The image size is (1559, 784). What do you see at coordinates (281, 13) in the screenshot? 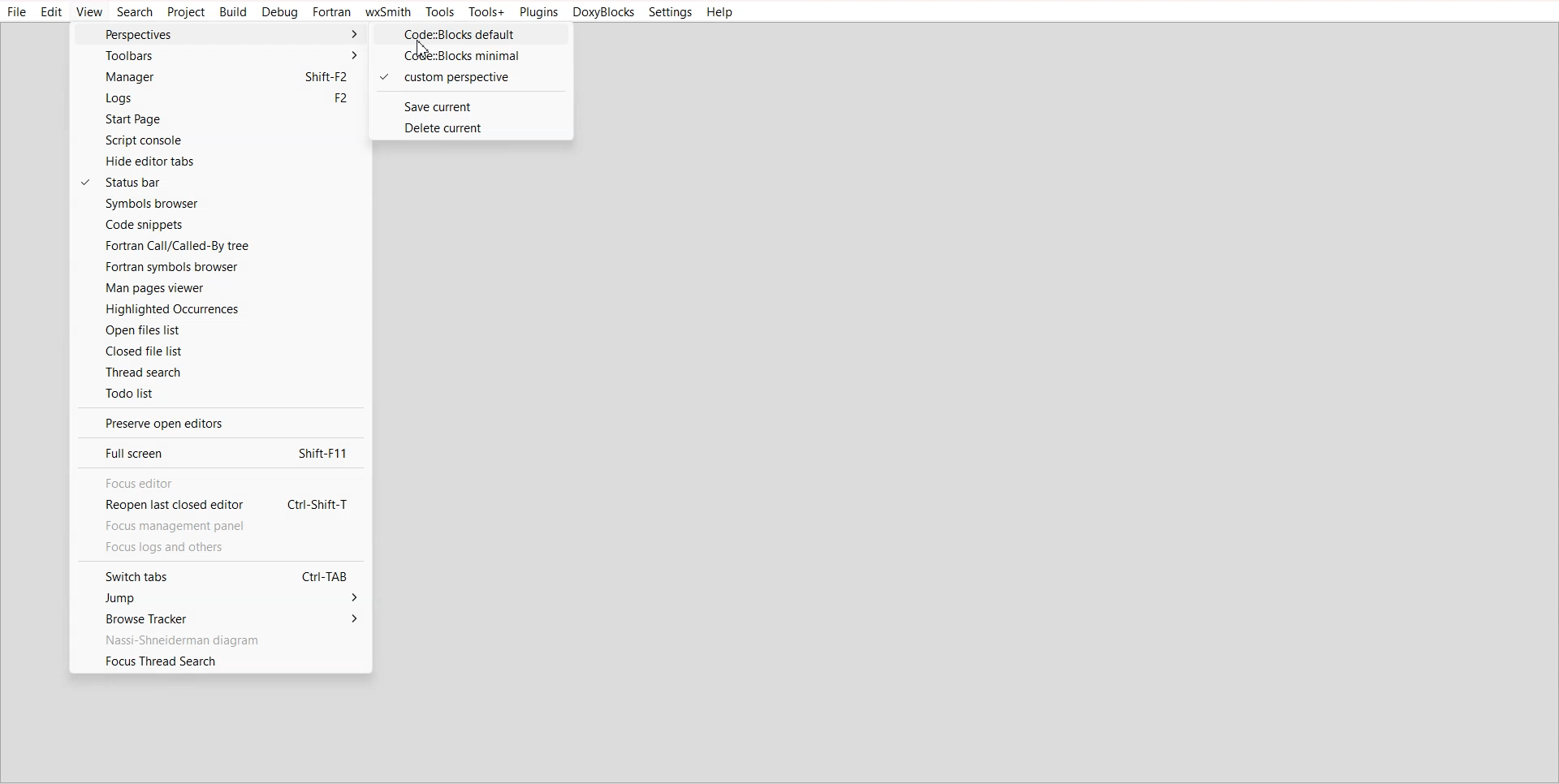
I see `Debug` at bounding box center [281, 13].